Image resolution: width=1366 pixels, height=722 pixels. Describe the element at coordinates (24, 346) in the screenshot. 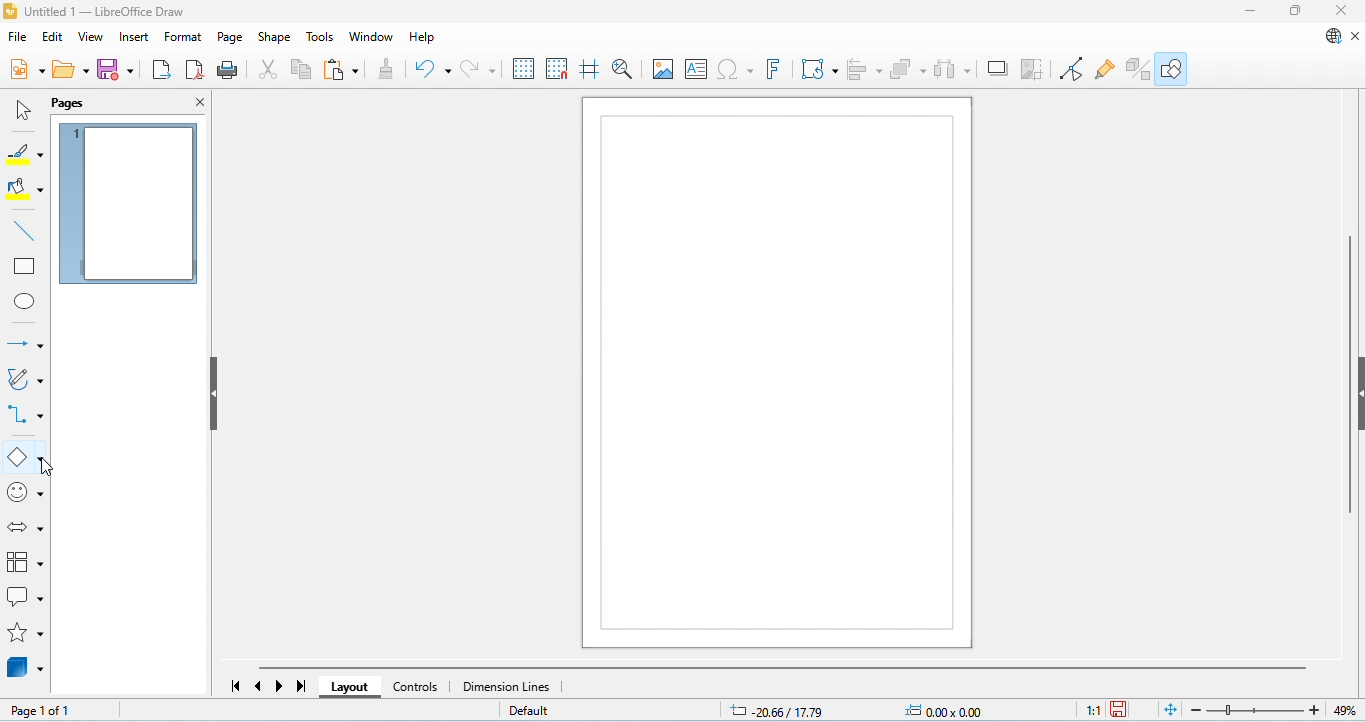

I see `line and arrows` at that location.